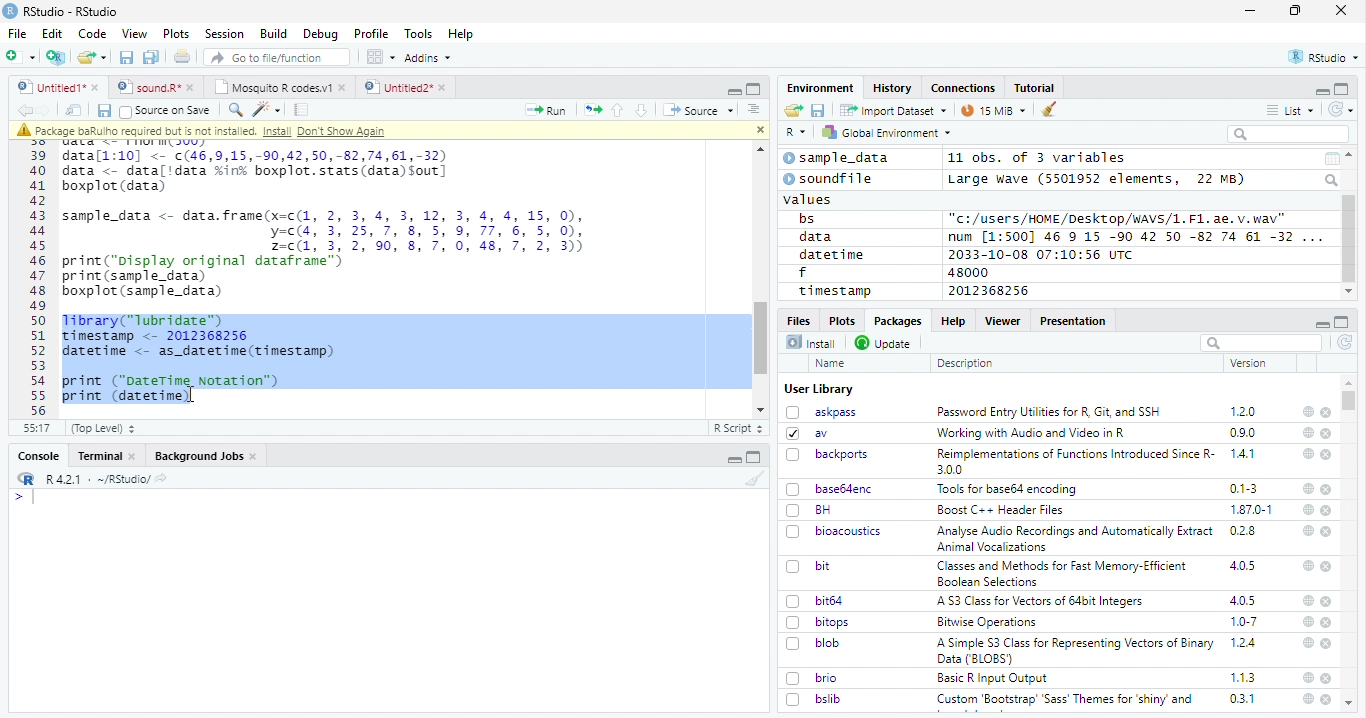 The width and height of the screenshot is (1366, 718). Describe the element at coordinates (1259, 342) in the screenshot. I see `search bar` at that location.